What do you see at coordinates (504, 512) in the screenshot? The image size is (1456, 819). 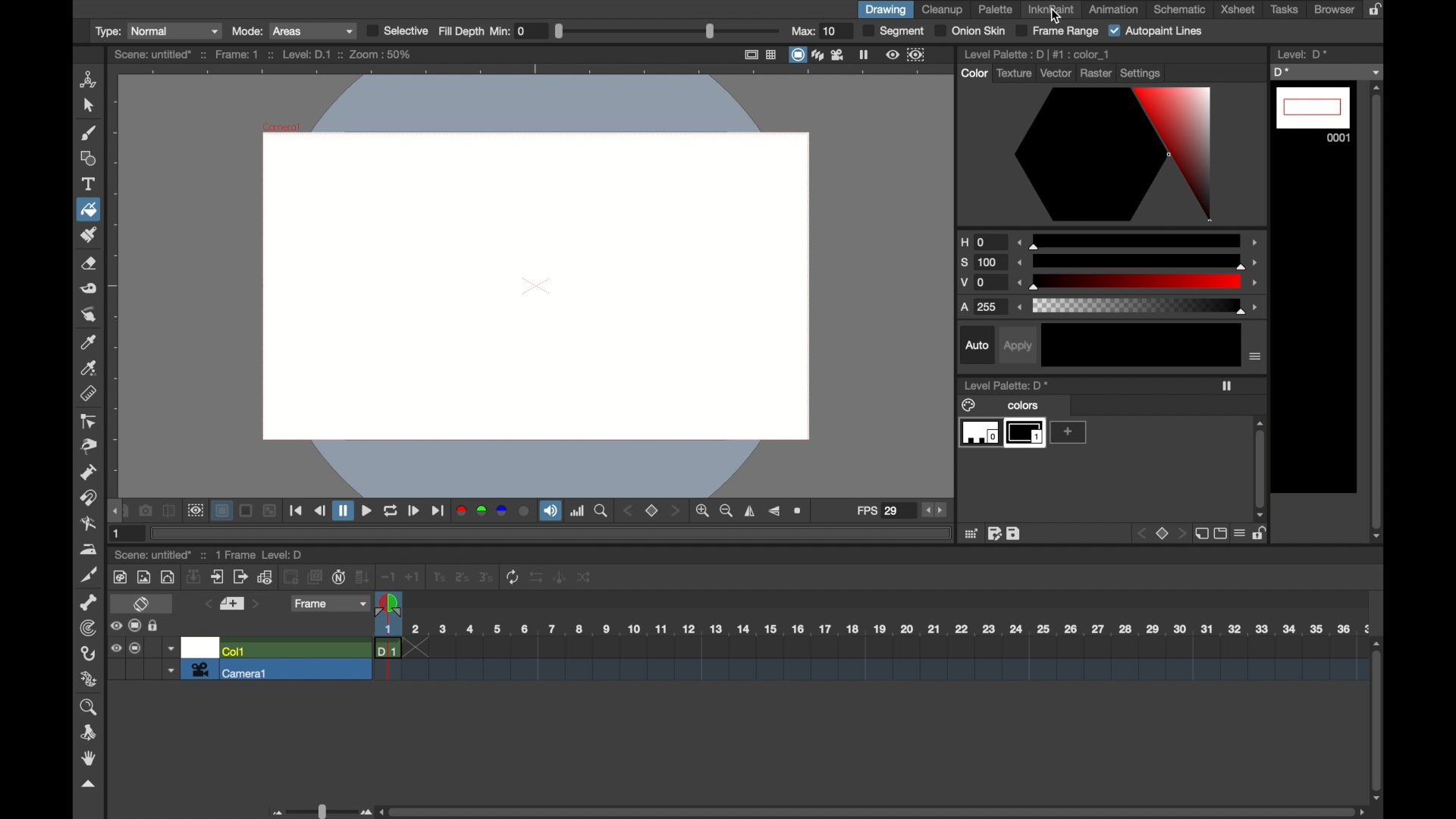 I see `blue` at bounding box center [504, 512].